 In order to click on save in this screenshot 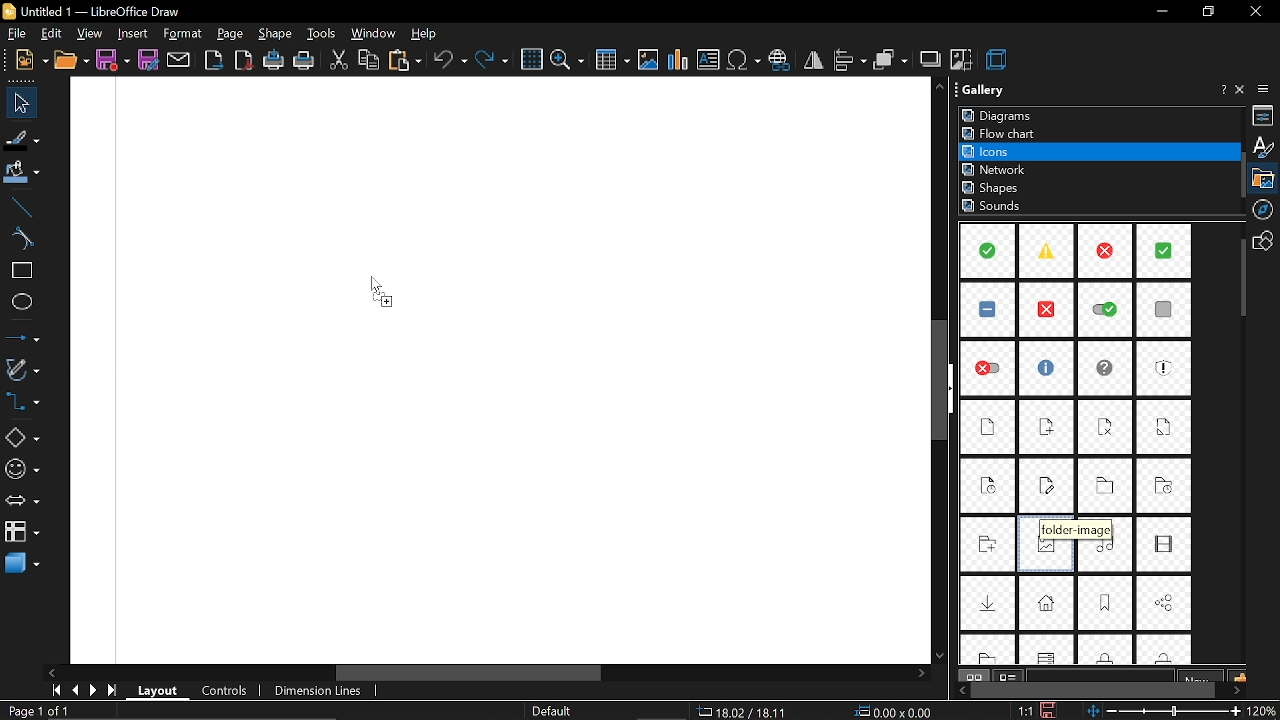, I will do `click(1049, 710)`.